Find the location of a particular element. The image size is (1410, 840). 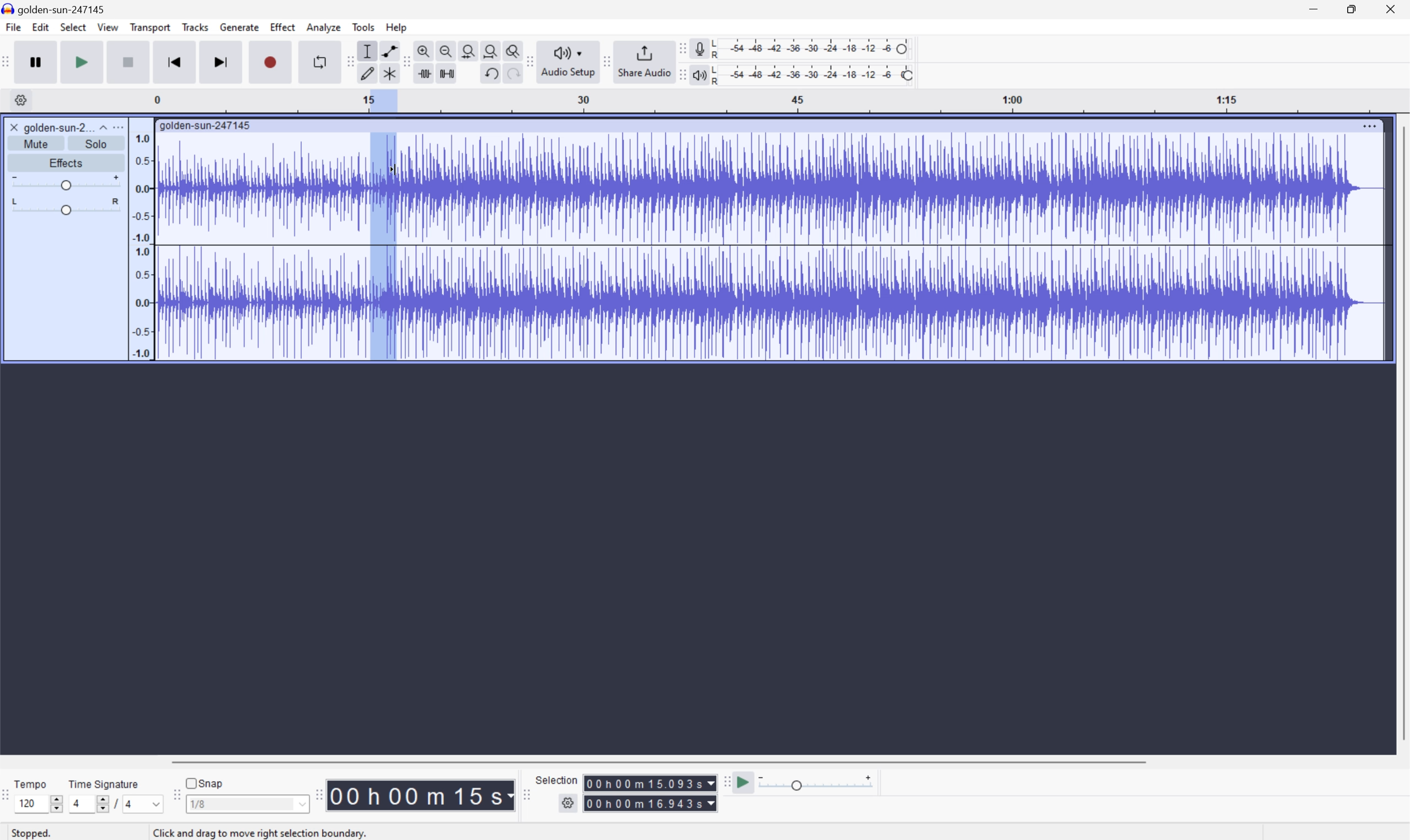

Redo is located at coordinates (511, 78).